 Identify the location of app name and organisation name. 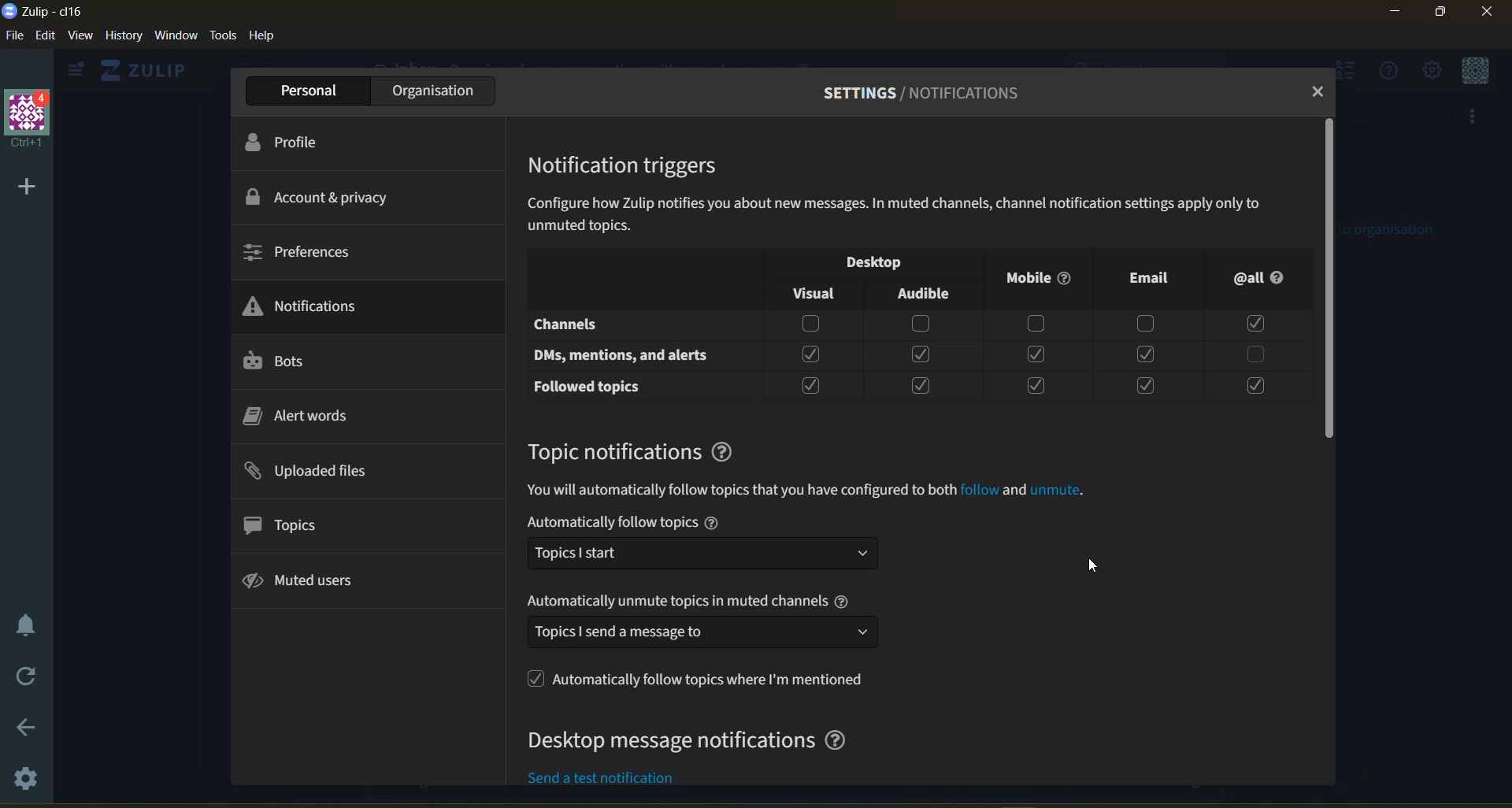
(58, 11).